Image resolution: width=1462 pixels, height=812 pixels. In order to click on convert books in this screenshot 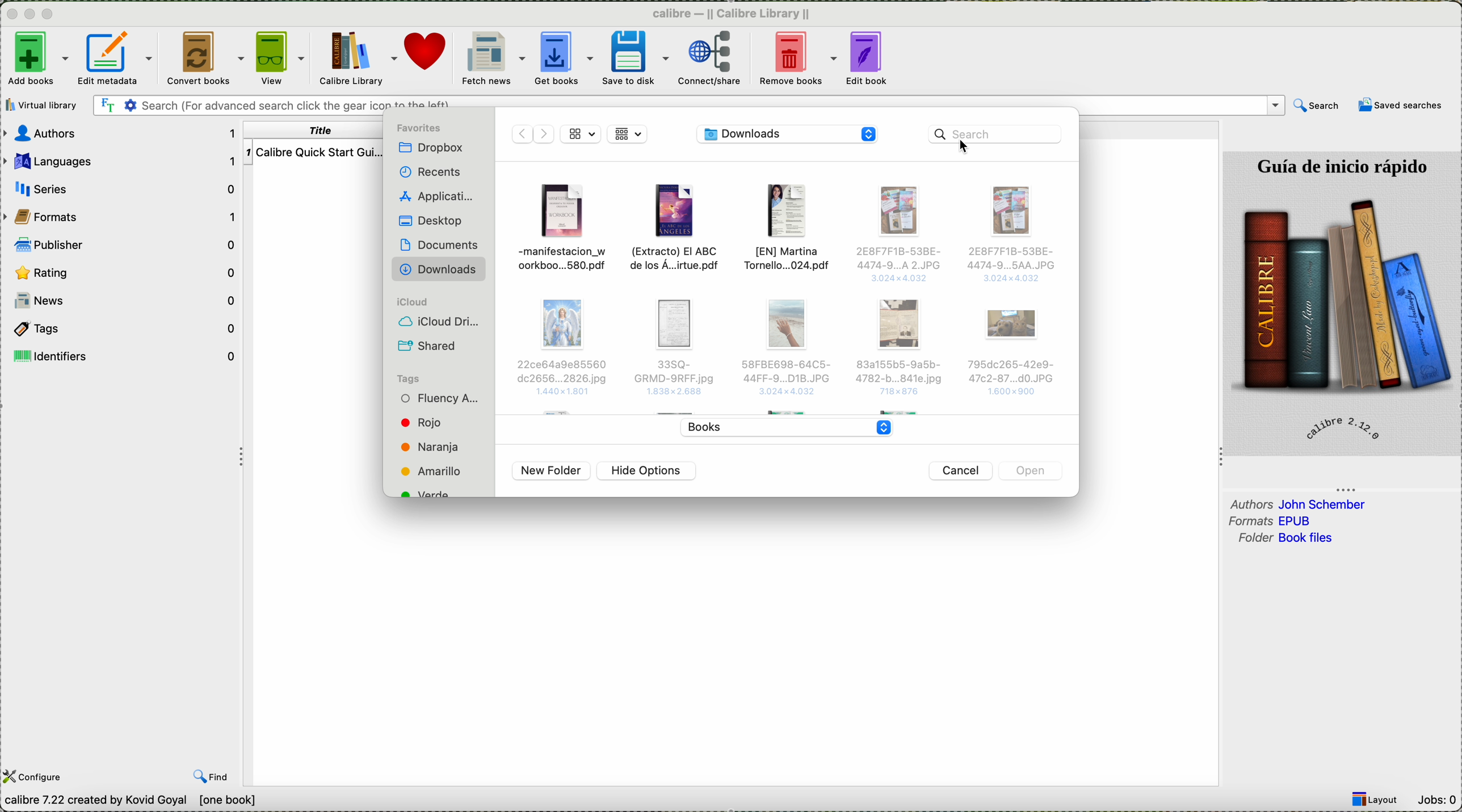, I will do `click(205, 57)`.